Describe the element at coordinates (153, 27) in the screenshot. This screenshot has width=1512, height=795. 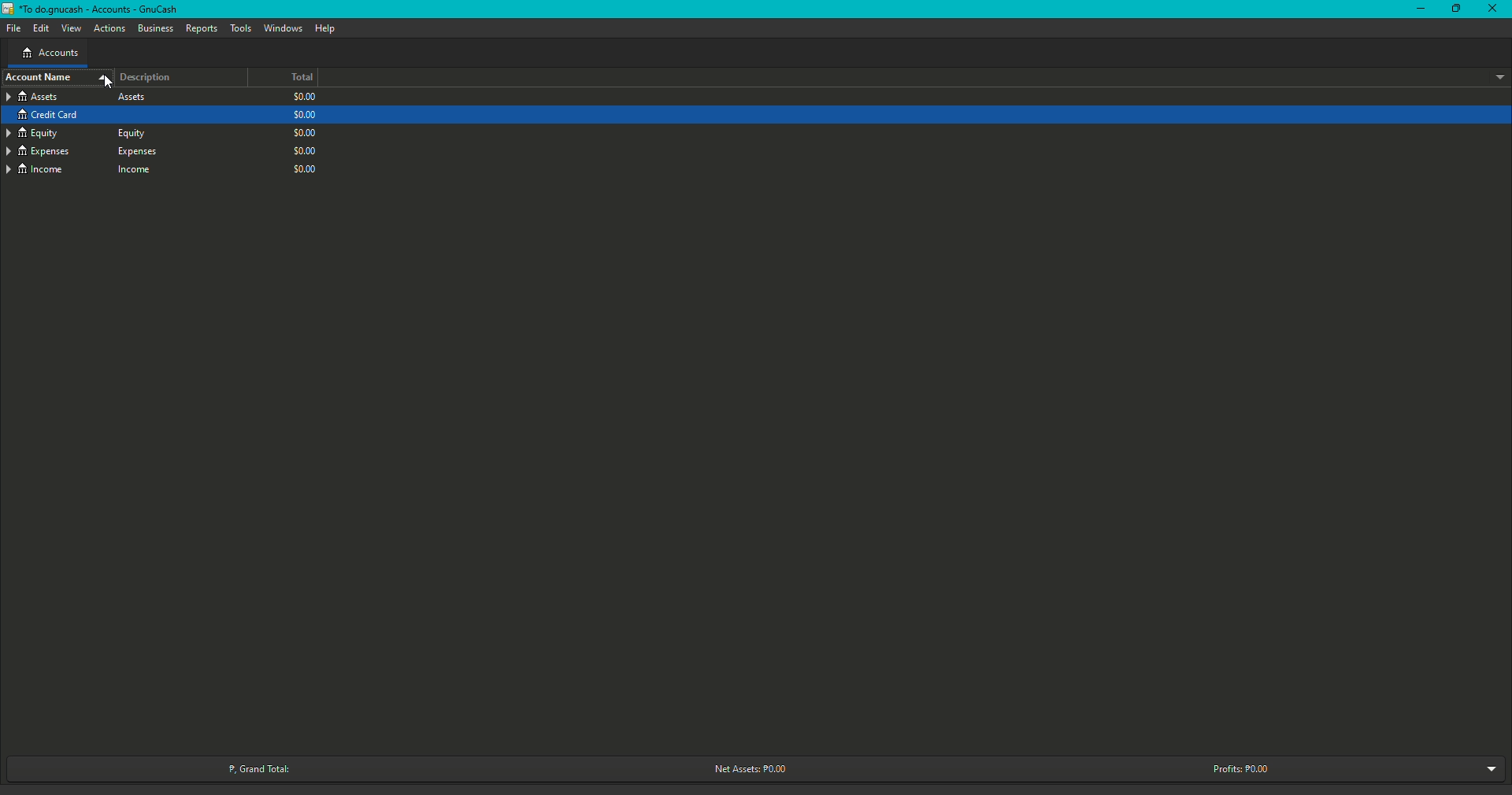
I see `Business` at that location.